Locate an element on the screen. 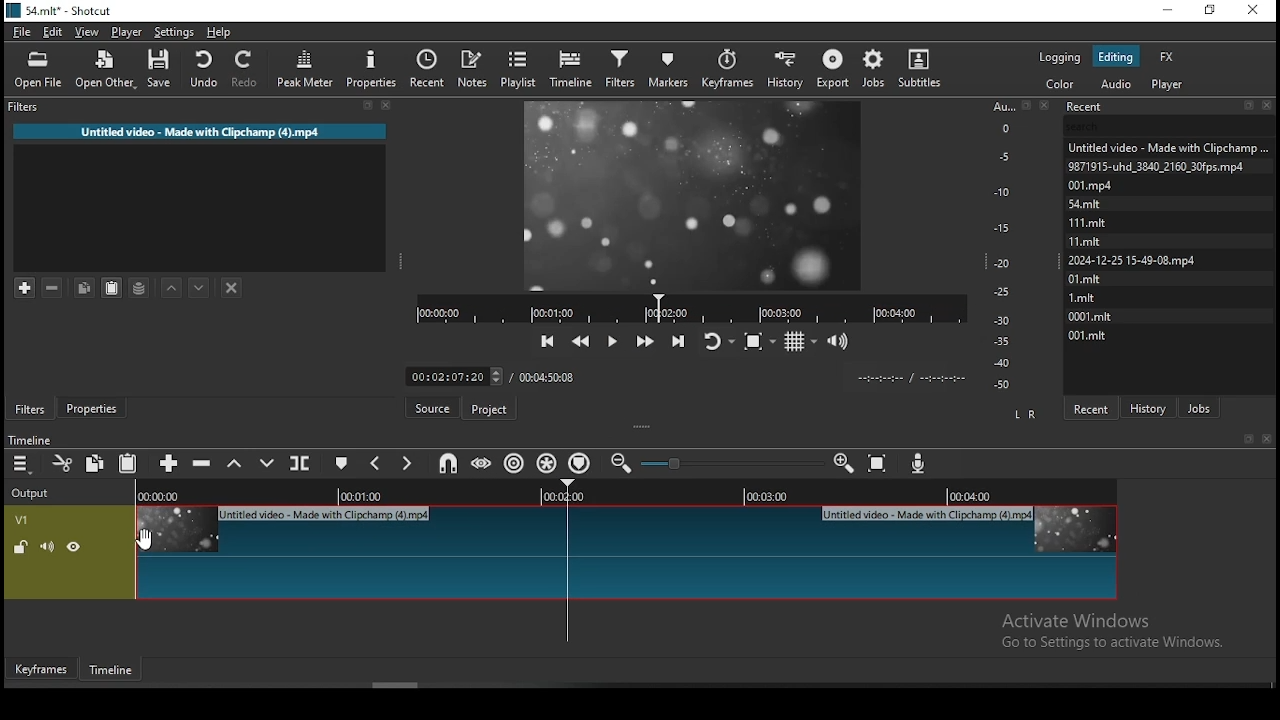 The image size is (1280, 720). bookmark is located at coordinates (1246, 438).